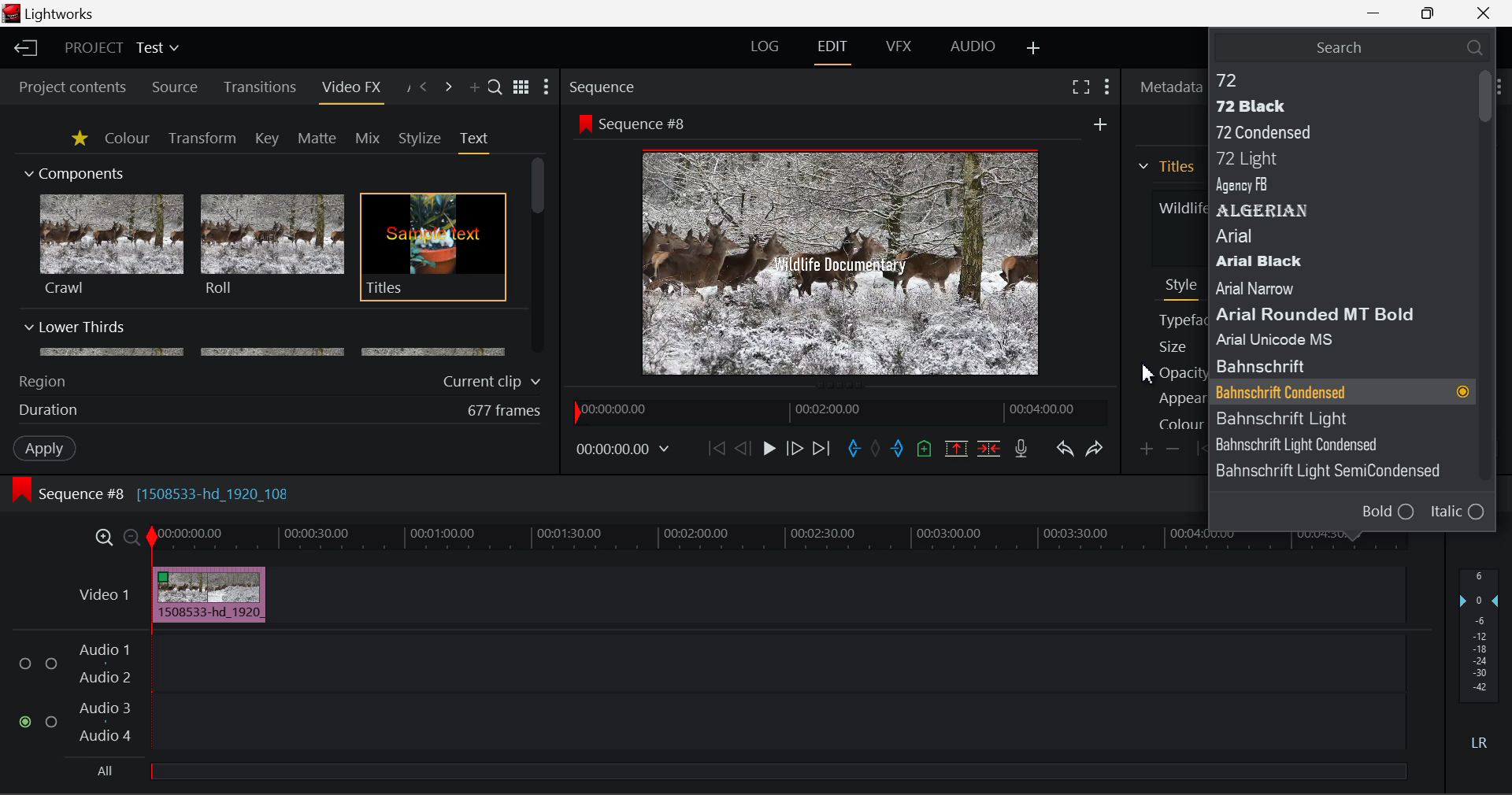  I want to click on Audio Input, so click(773, 695).